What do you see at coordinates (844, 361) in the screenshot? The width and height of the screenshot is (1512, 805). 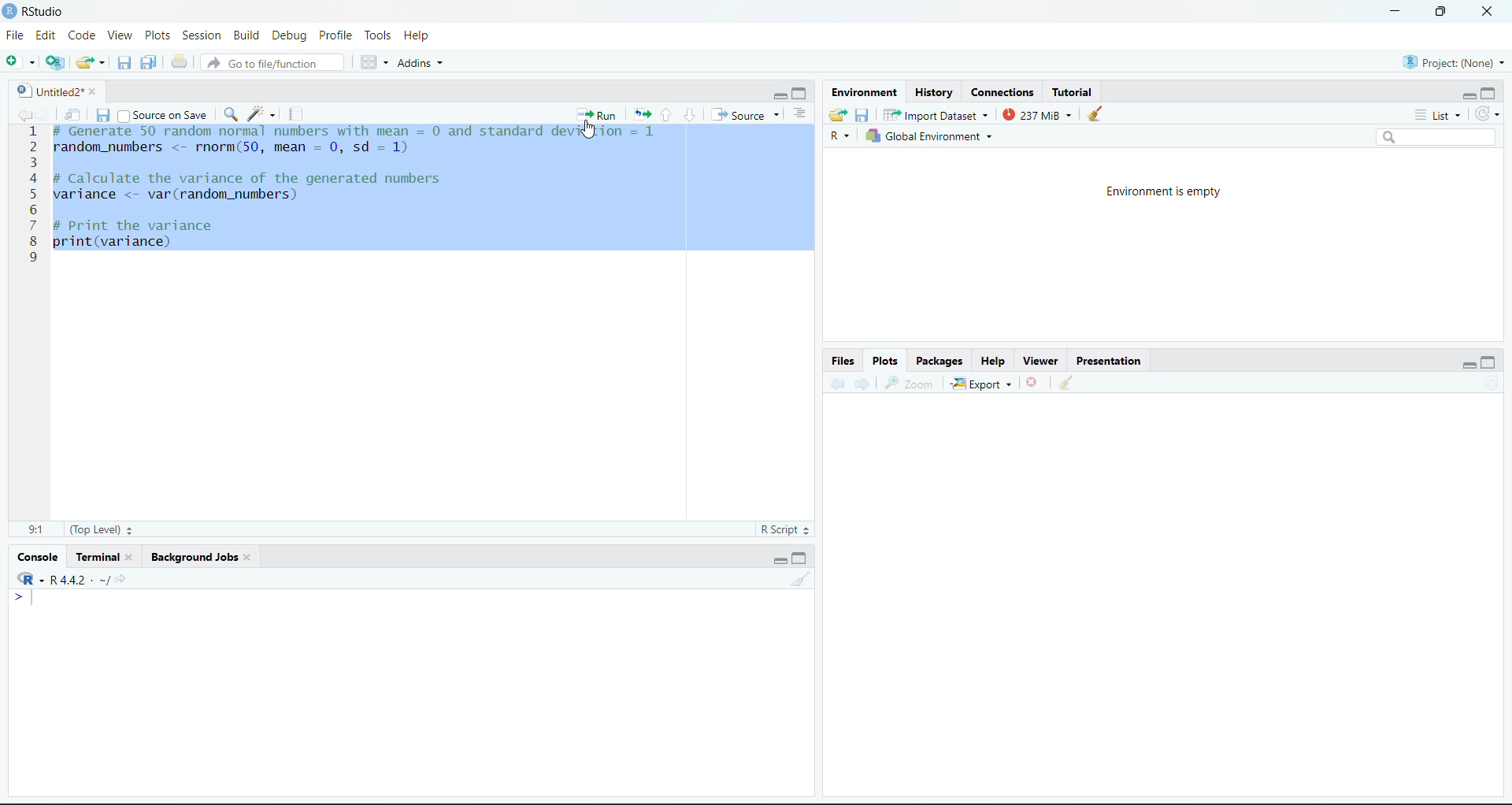 I see `Files` at bounding box center [844, 361].